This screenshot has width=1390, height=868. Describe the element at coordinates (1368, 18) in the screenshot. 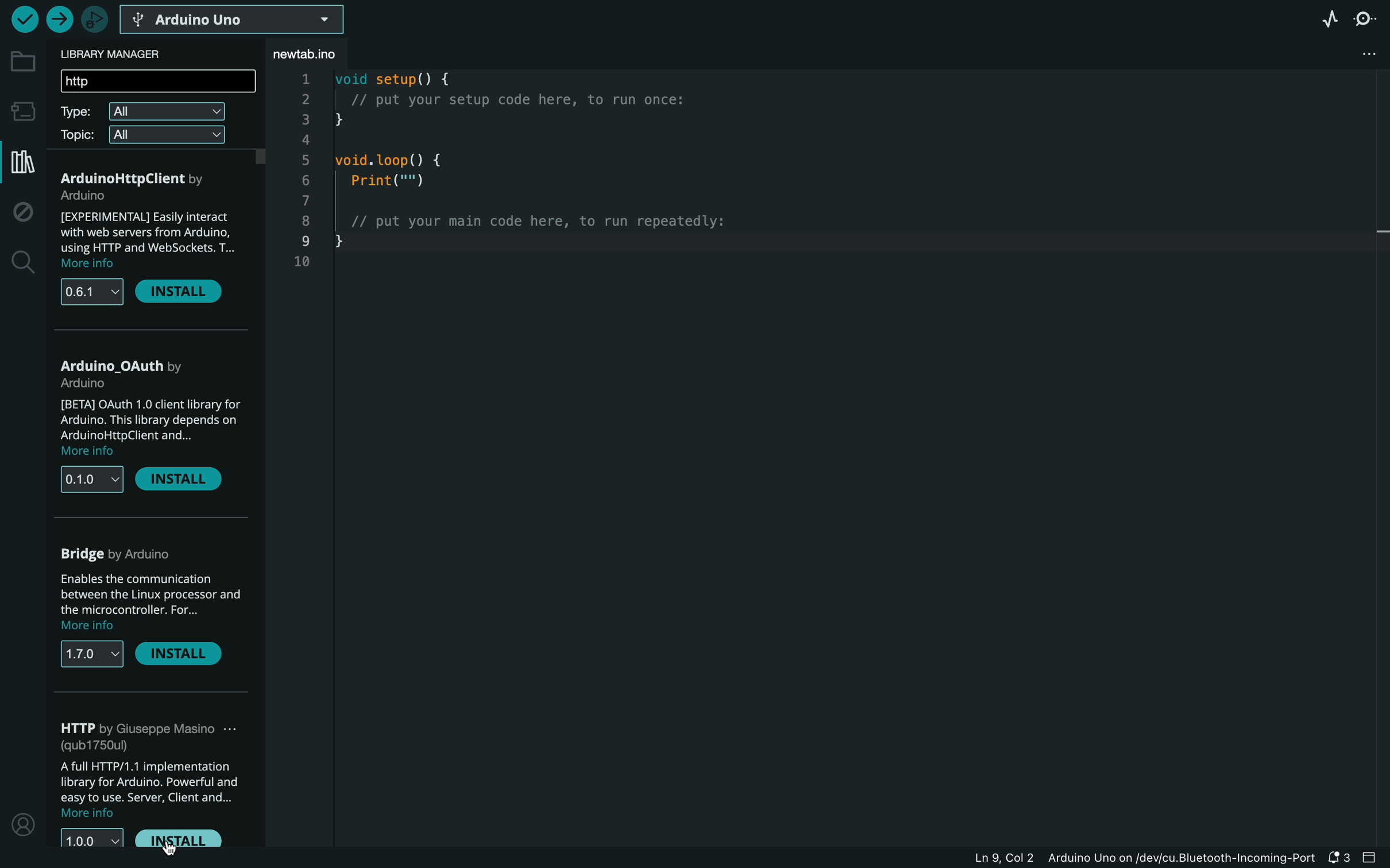

I see `serial monitor` at that location.